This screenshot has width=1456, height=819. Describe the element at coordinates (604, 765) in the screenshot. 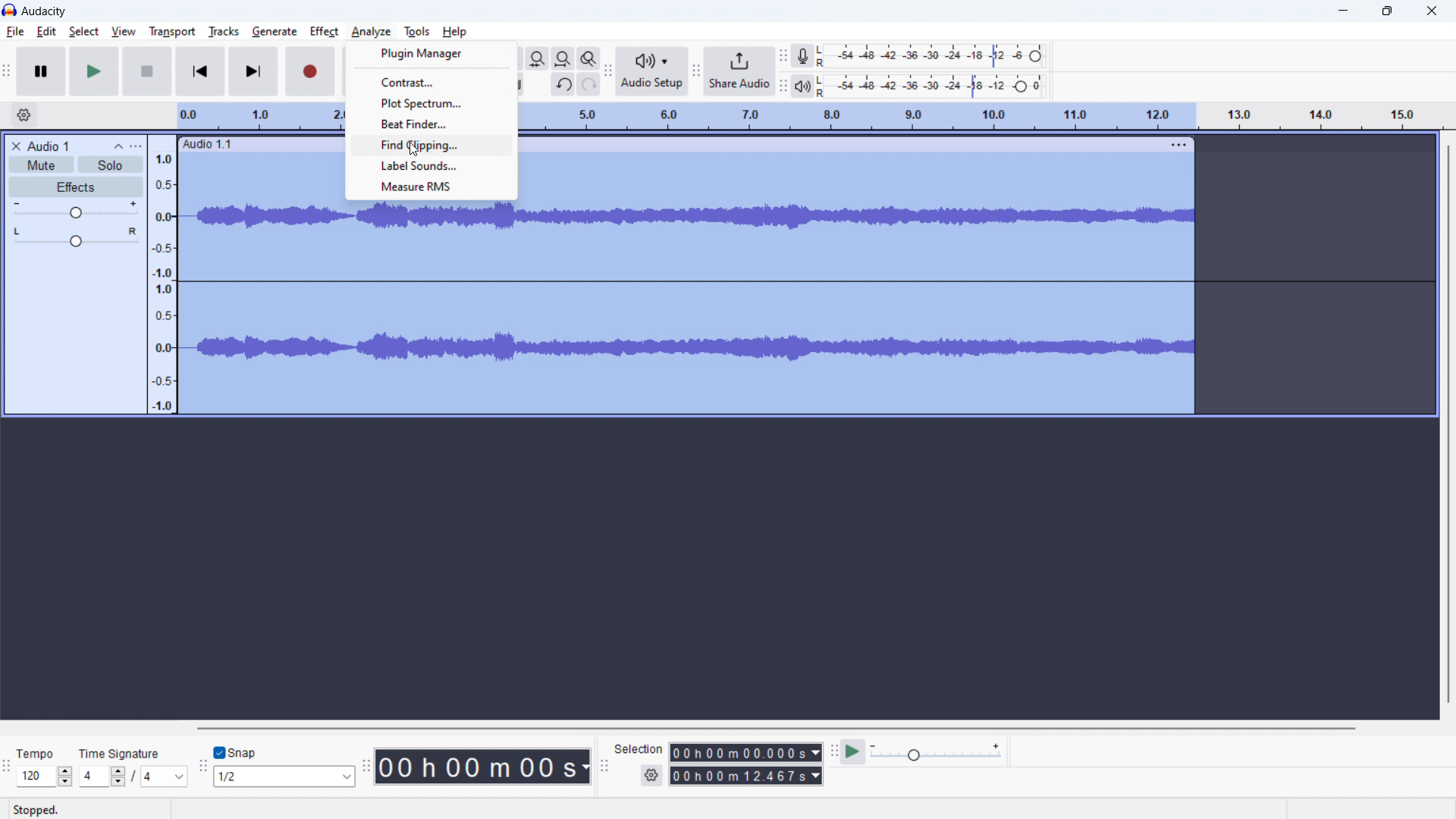

I see `selection toolbar` at that location.